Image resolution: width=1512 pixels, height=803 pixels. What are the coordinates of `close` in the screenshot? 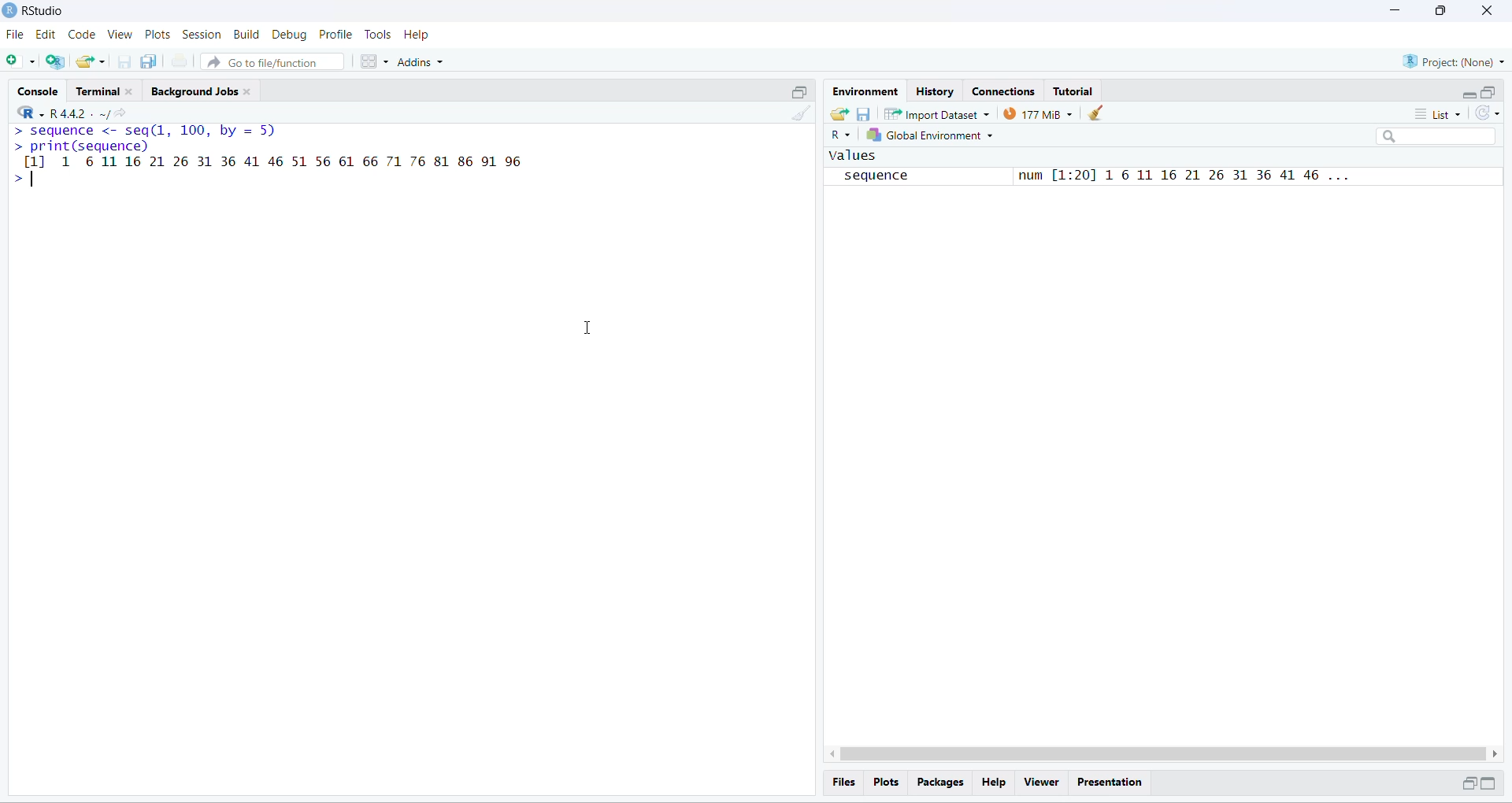 It's located at (1488, 10).